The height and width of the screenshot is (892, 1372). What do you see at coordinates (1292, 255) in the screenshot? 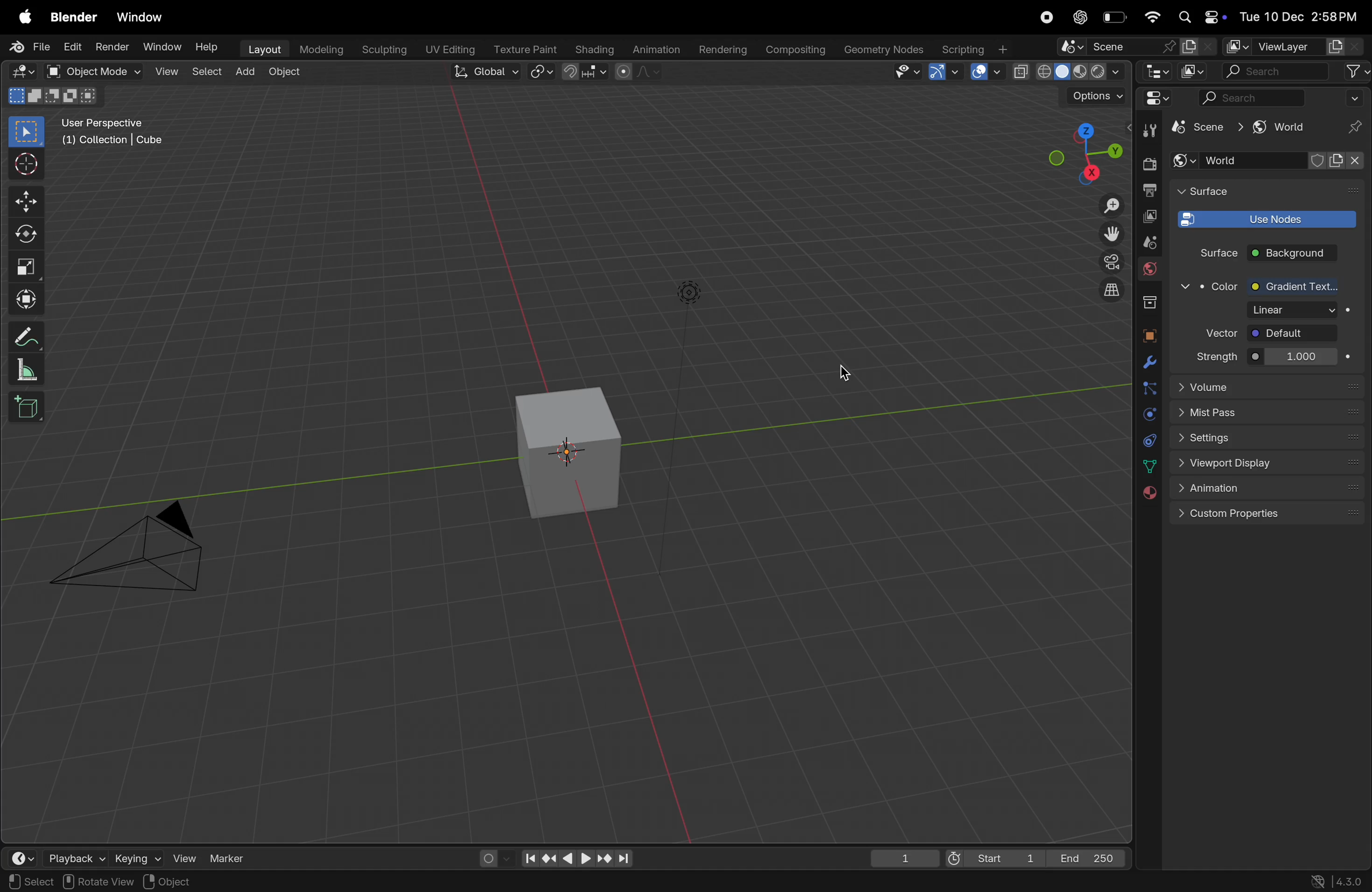
I see `back ground` at bounding box center [1292, 255].